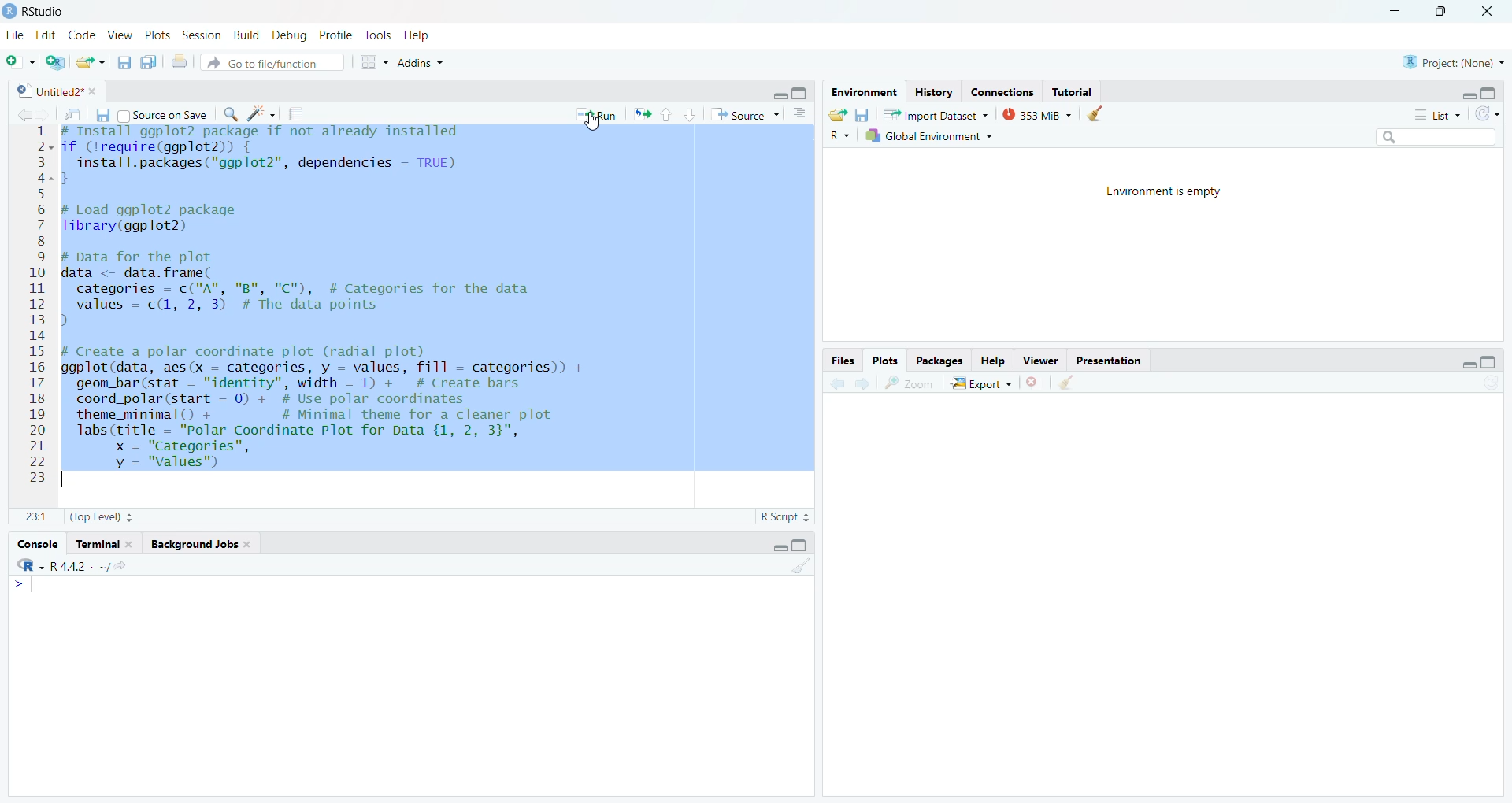 The width and height of the screenshot is (1512, 803). I want to click on compile reports, so click(296, 113).